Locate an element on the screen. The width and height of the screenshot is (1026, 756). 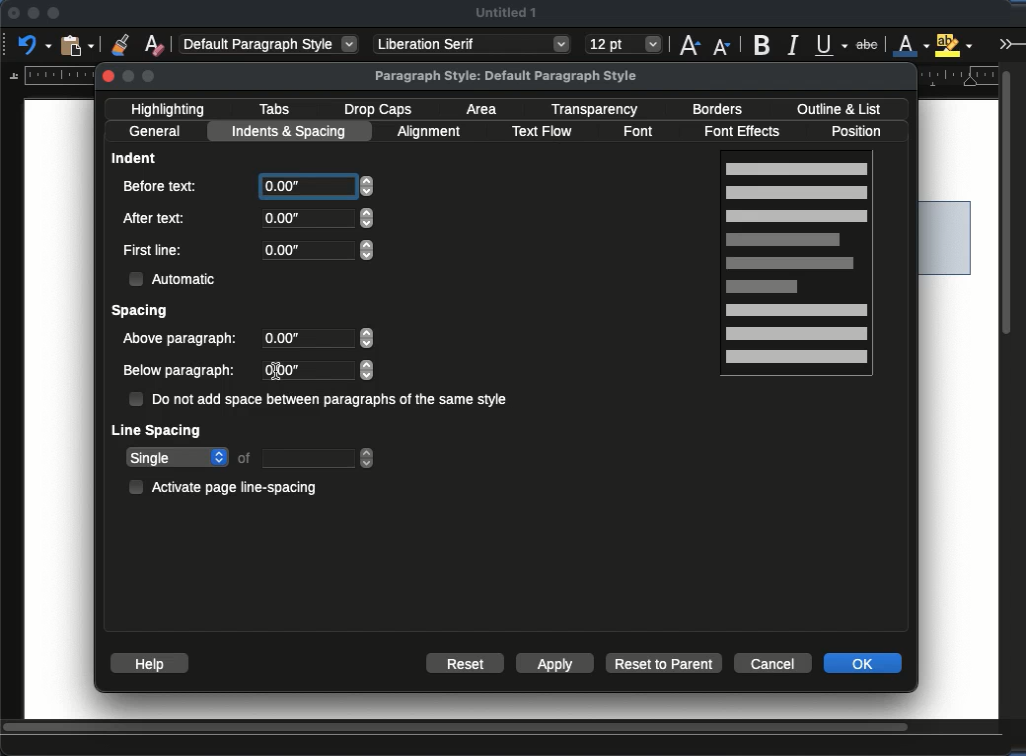
clone formatting is located at coordinates (120, 44).